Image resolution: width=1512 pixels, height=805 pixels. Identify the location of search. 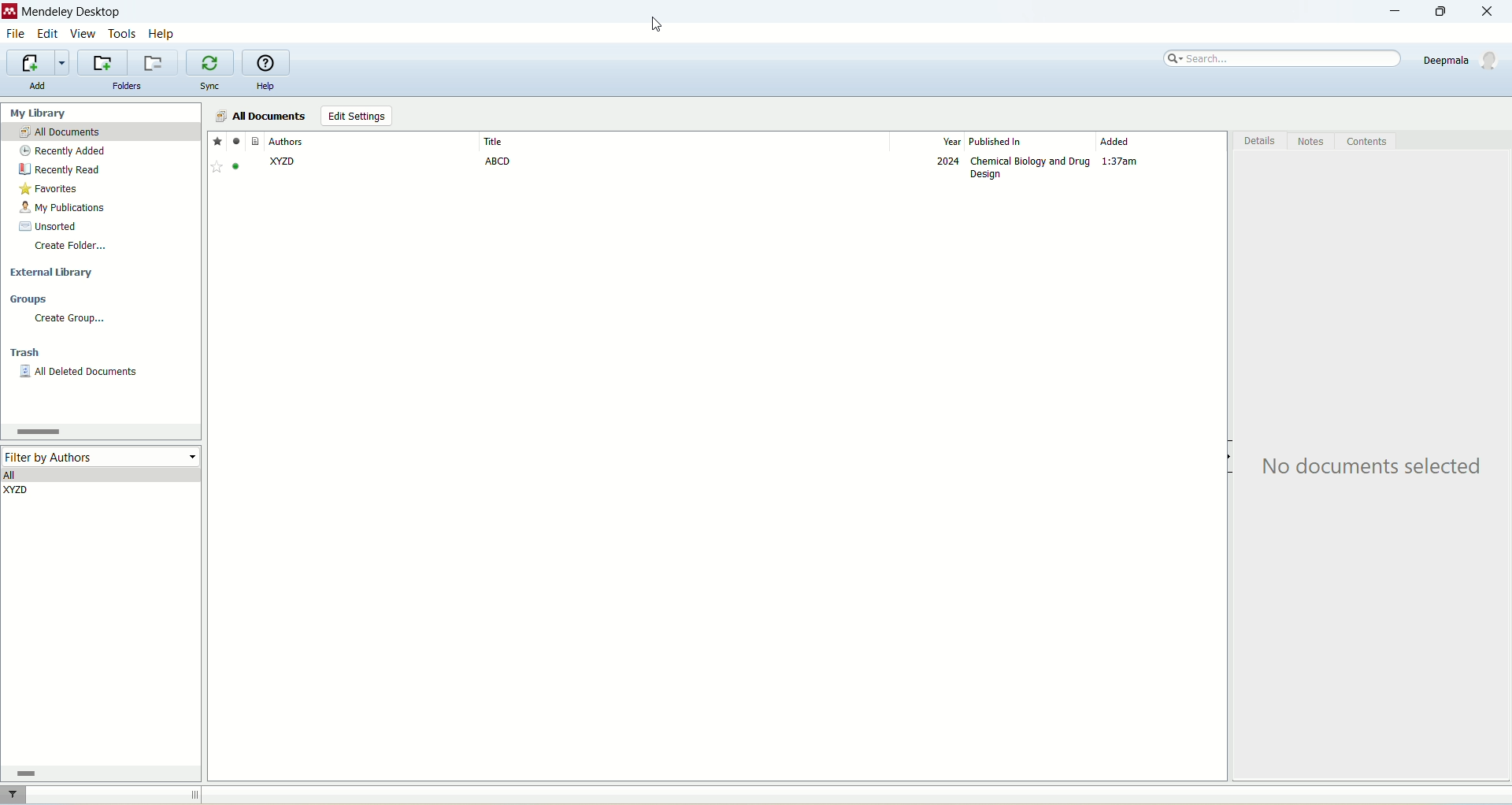
(1284, 59).